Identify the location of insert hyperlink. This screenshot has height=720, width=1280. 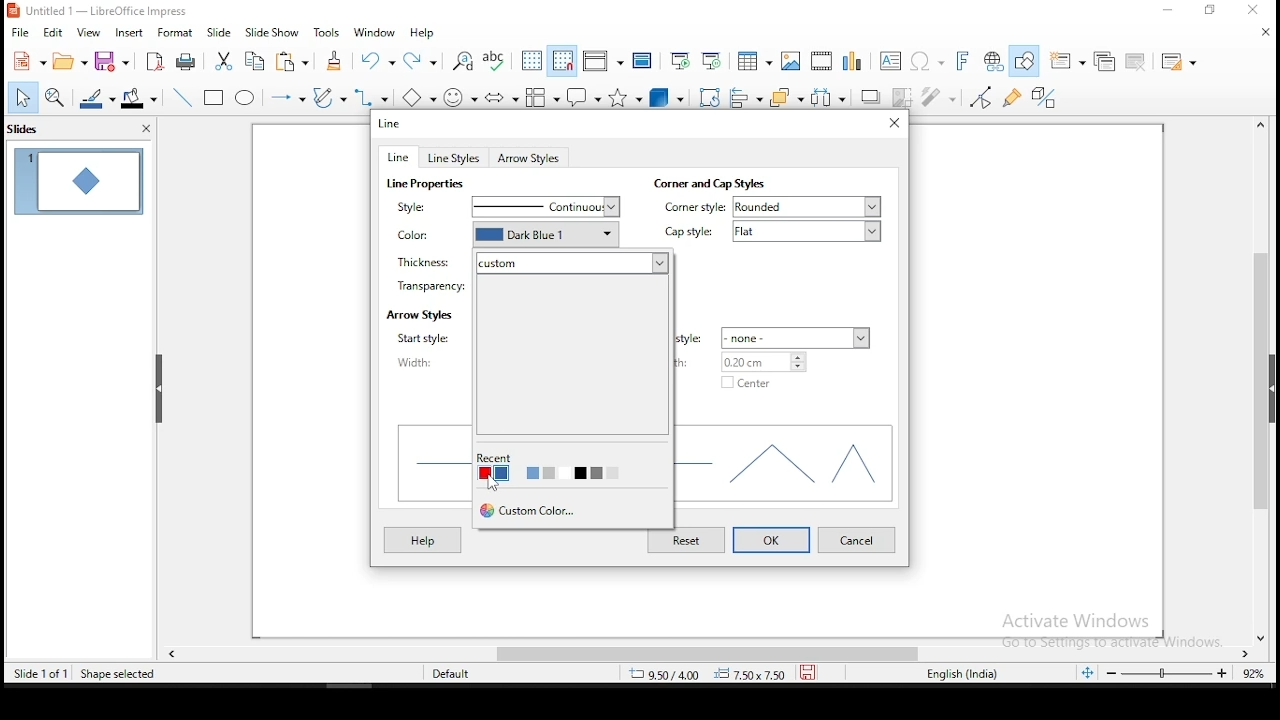
(994, 61).